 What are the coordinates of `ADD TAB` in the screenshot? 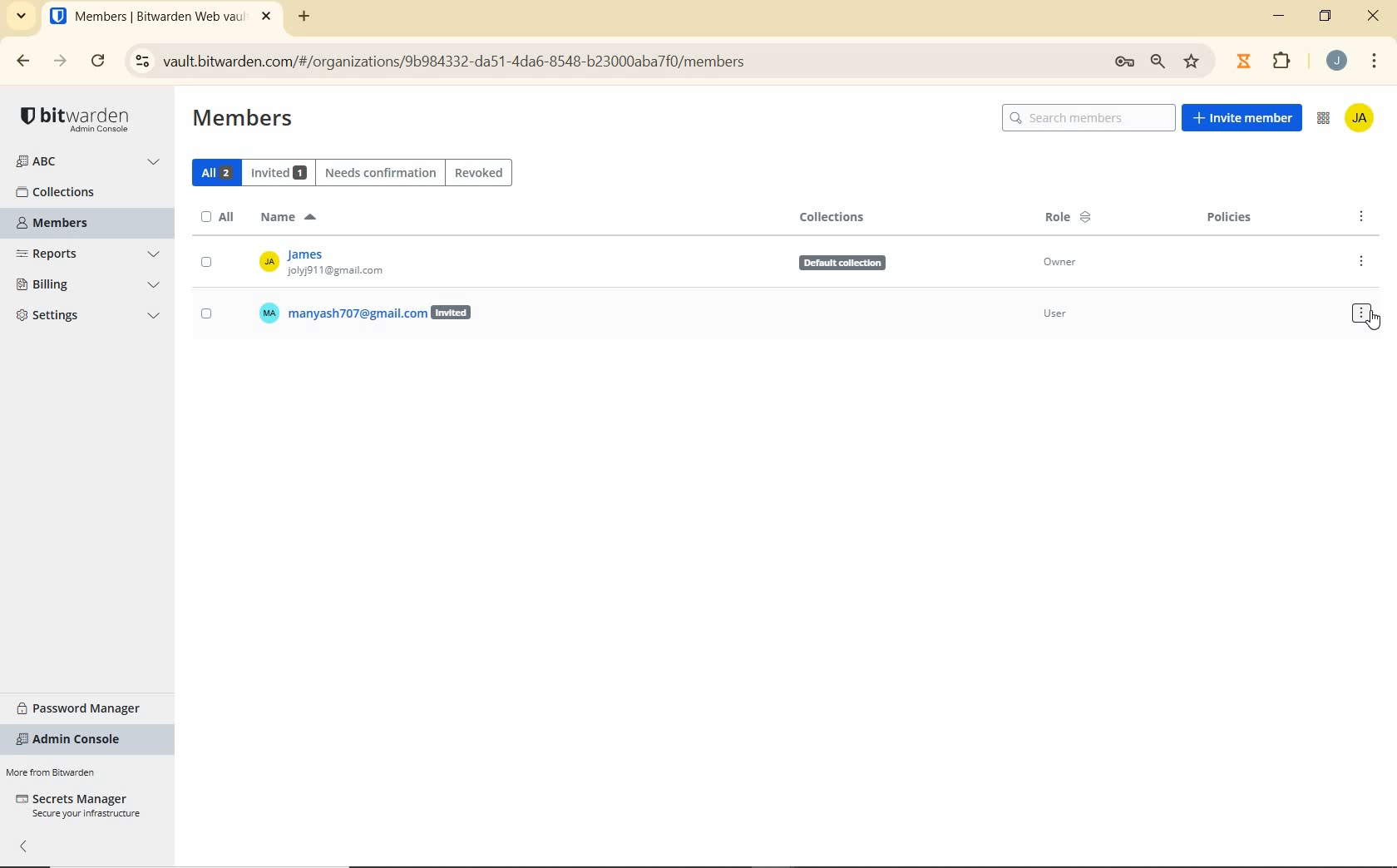 It's located at (301, 18).